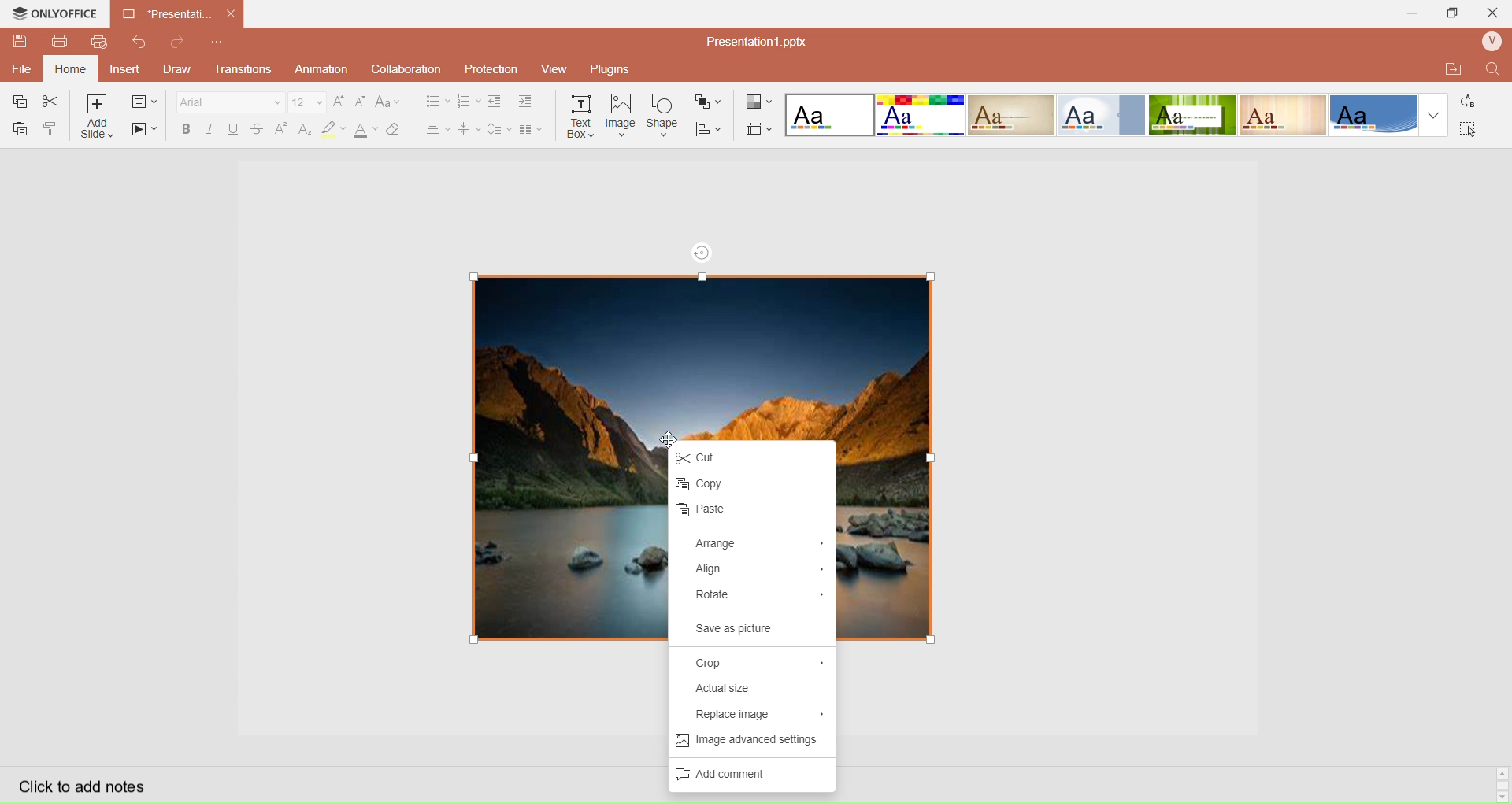 This screenshot has height=803, width=1512. What do you see at coordinates (532, 129) in the screenshot?
I see `Insert Columns` at bounding box center [532, 129].